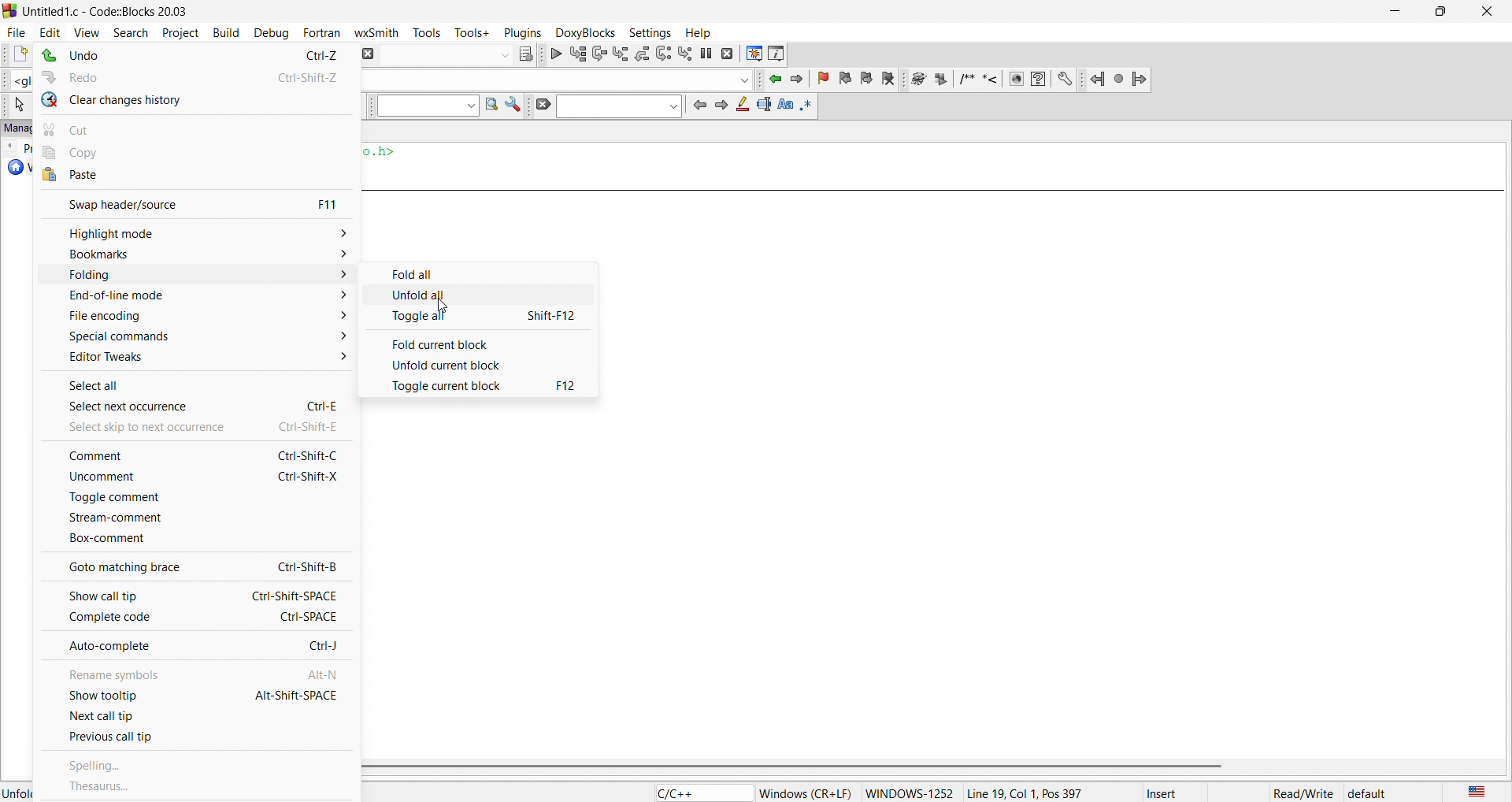 This screenshot has width=1512, height=802. I want to click on break debugging, so click(707, 54).